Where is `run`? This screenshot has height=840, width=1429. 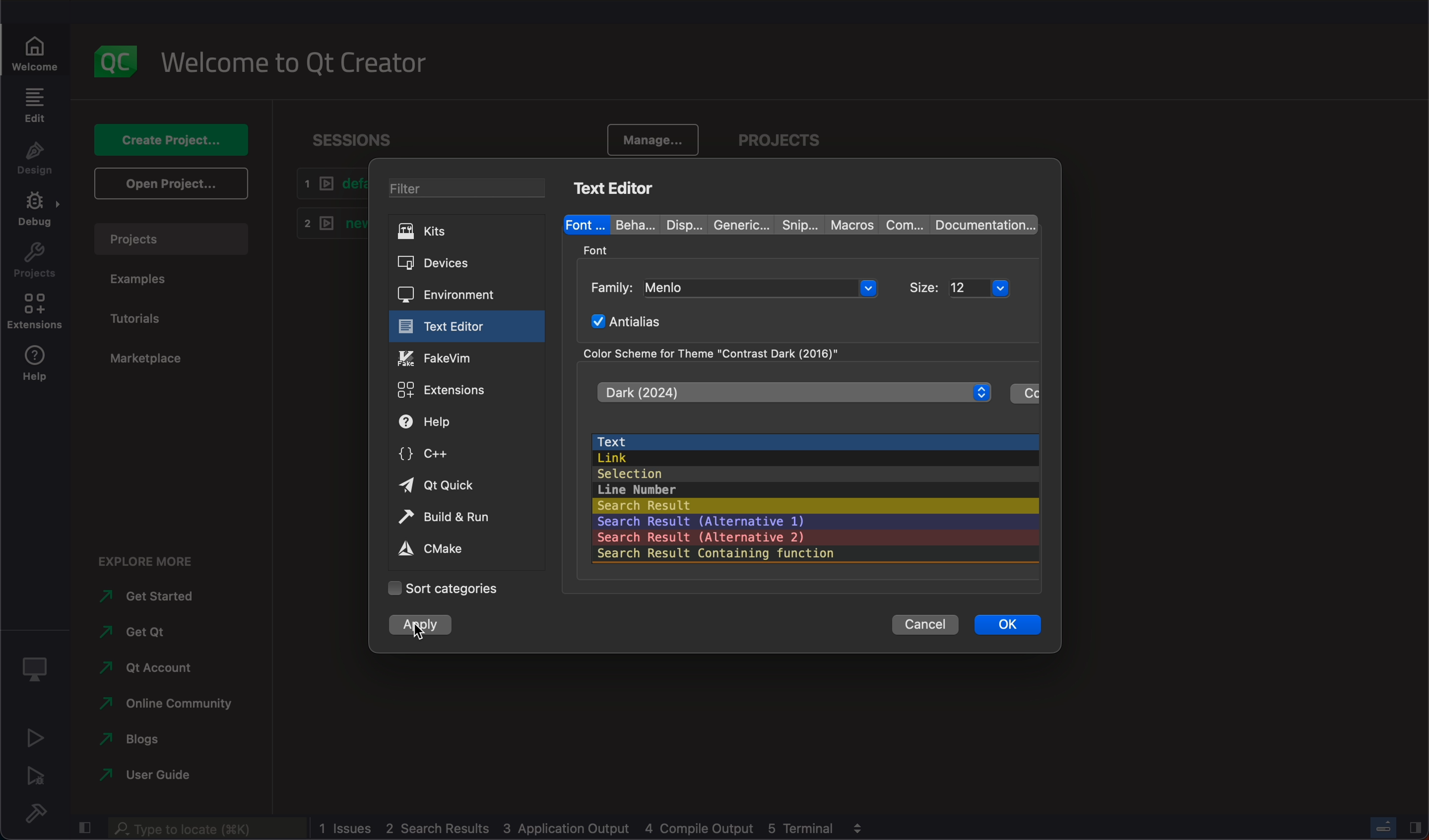 run is located at coordinates (32, 740).